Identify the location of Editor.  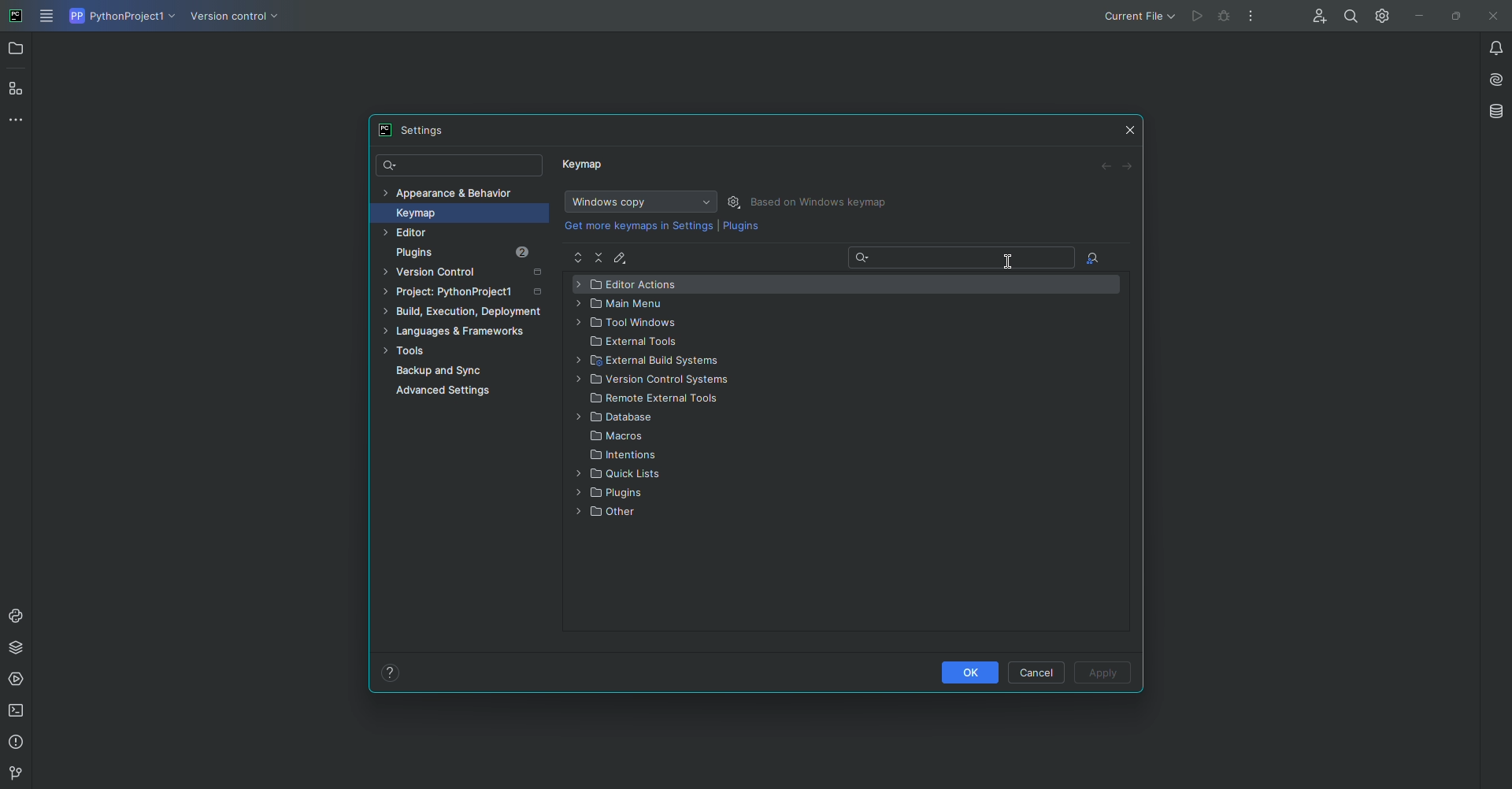
(439, 233).